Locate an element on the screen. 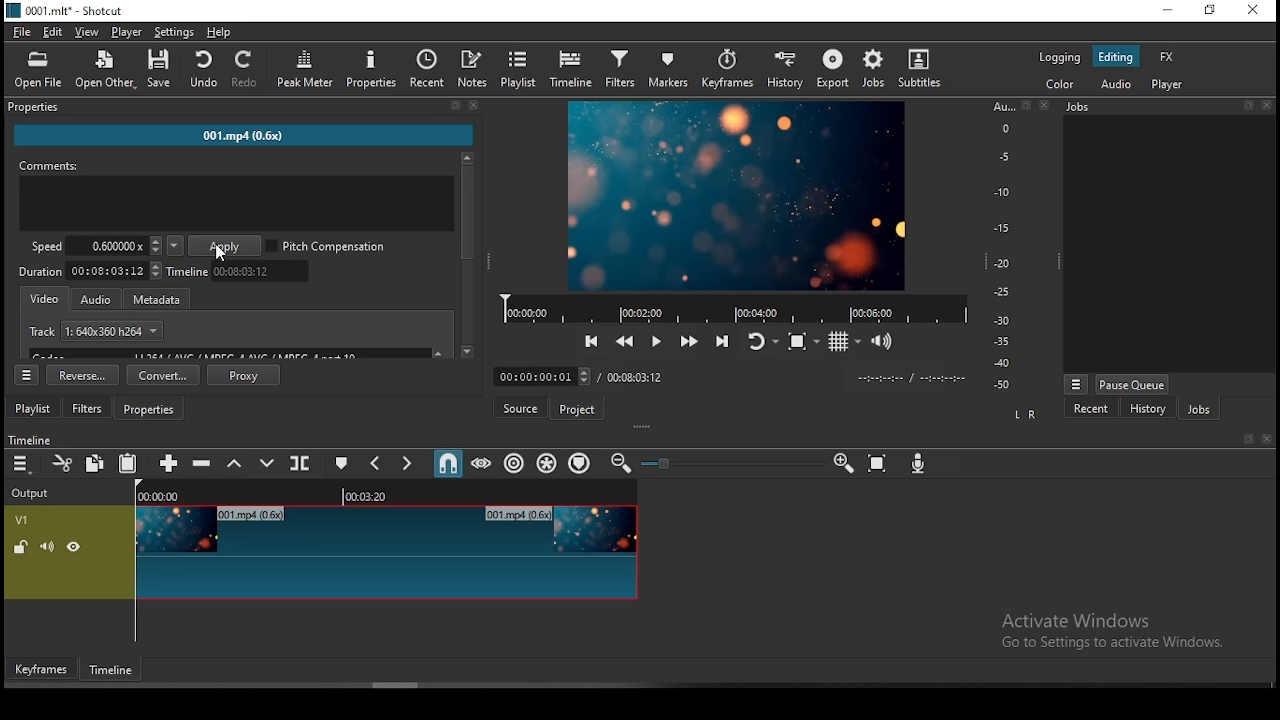 The image size is (1280, 720). ripple delete is located at coordinates (207, 466).